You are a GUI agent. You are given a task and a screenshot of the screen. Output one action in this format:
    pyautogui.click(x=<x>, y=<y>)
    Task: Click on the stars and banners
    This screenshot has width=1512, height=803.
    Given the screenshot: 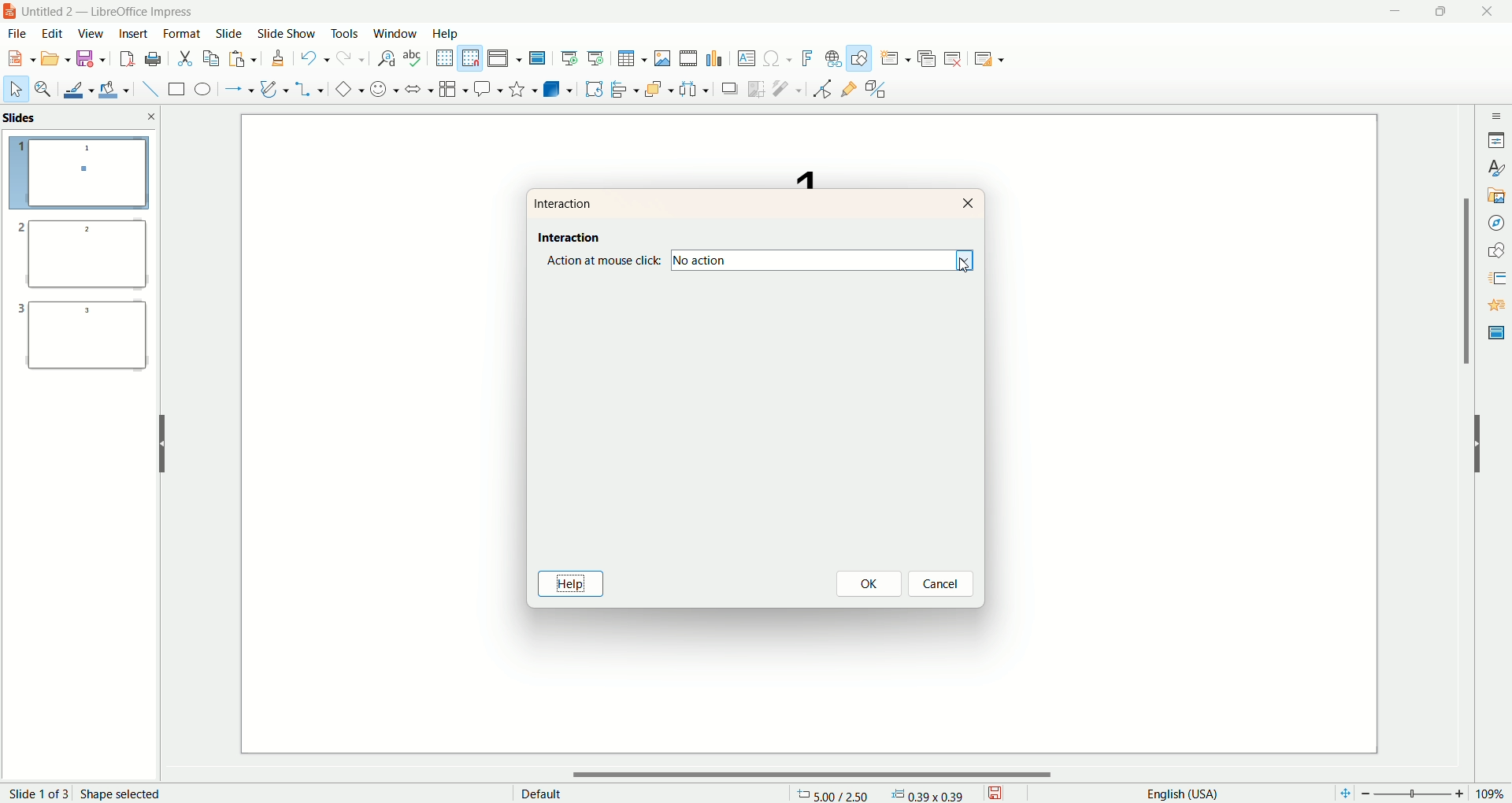 What is the action you would take?
    pyautogui.click(x=521, y=88)
    